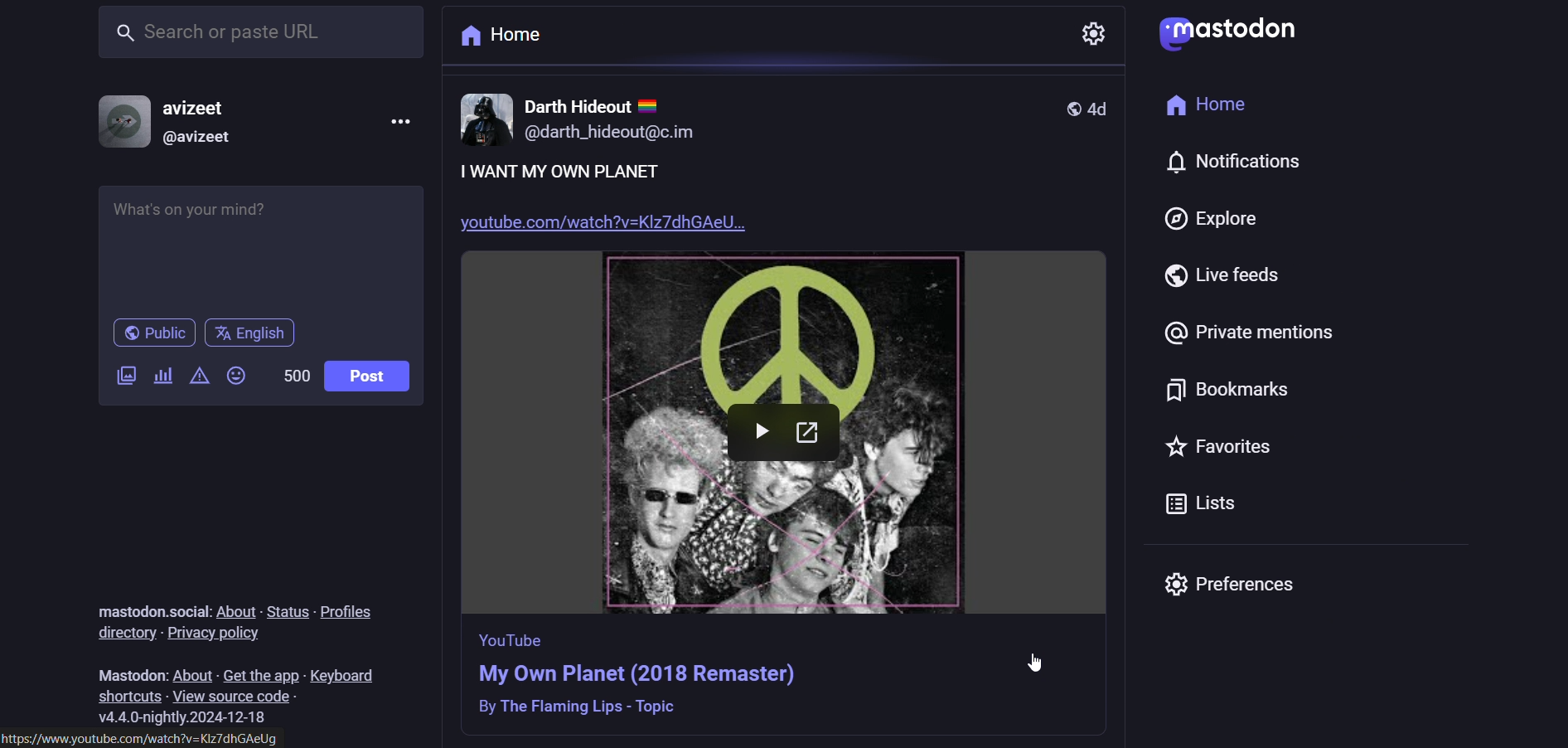  I want to click on bookmarks, so click(1224, 391).